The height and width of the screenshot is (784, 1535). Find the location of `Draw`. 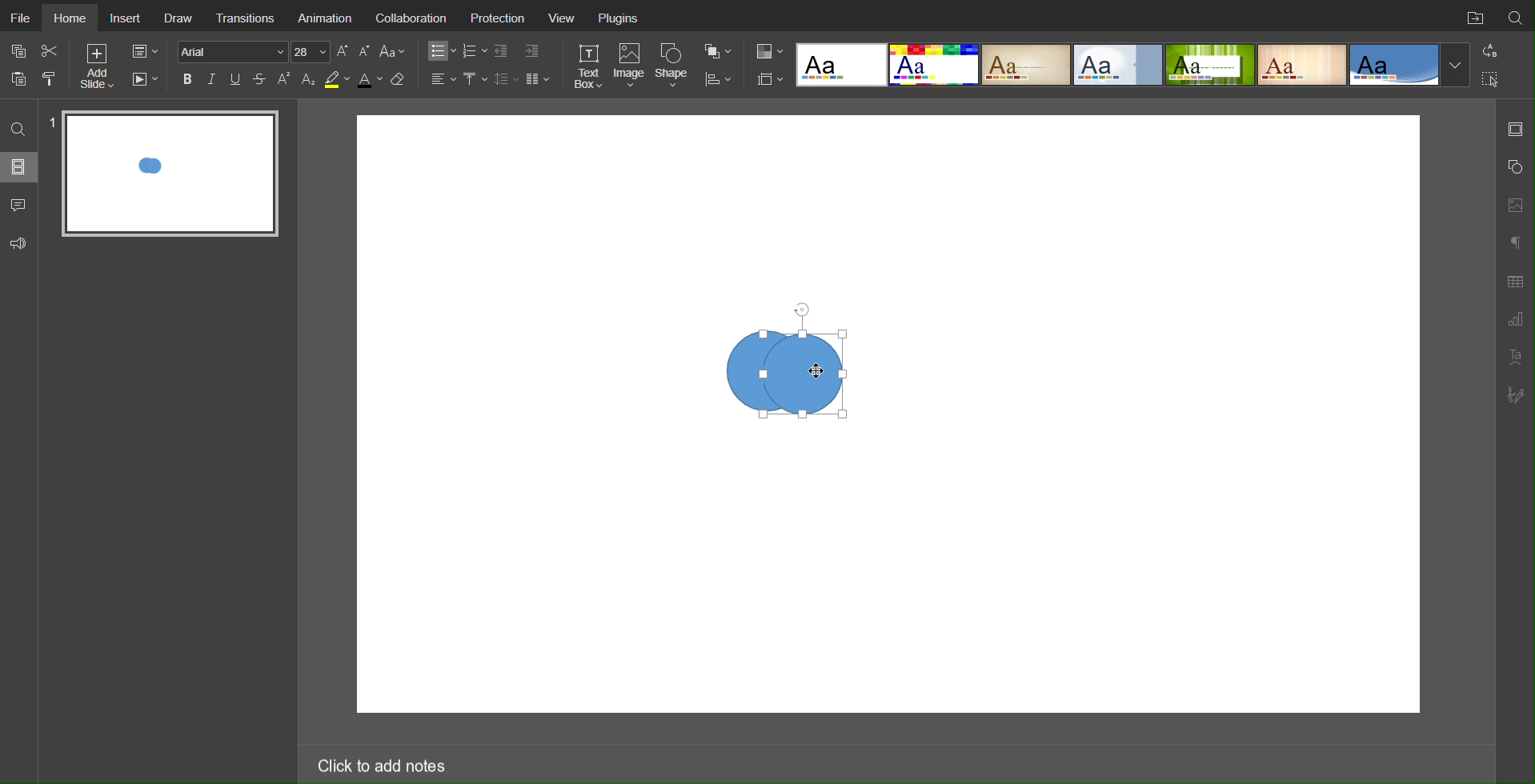

Draw is located at coordinates (181, 18).